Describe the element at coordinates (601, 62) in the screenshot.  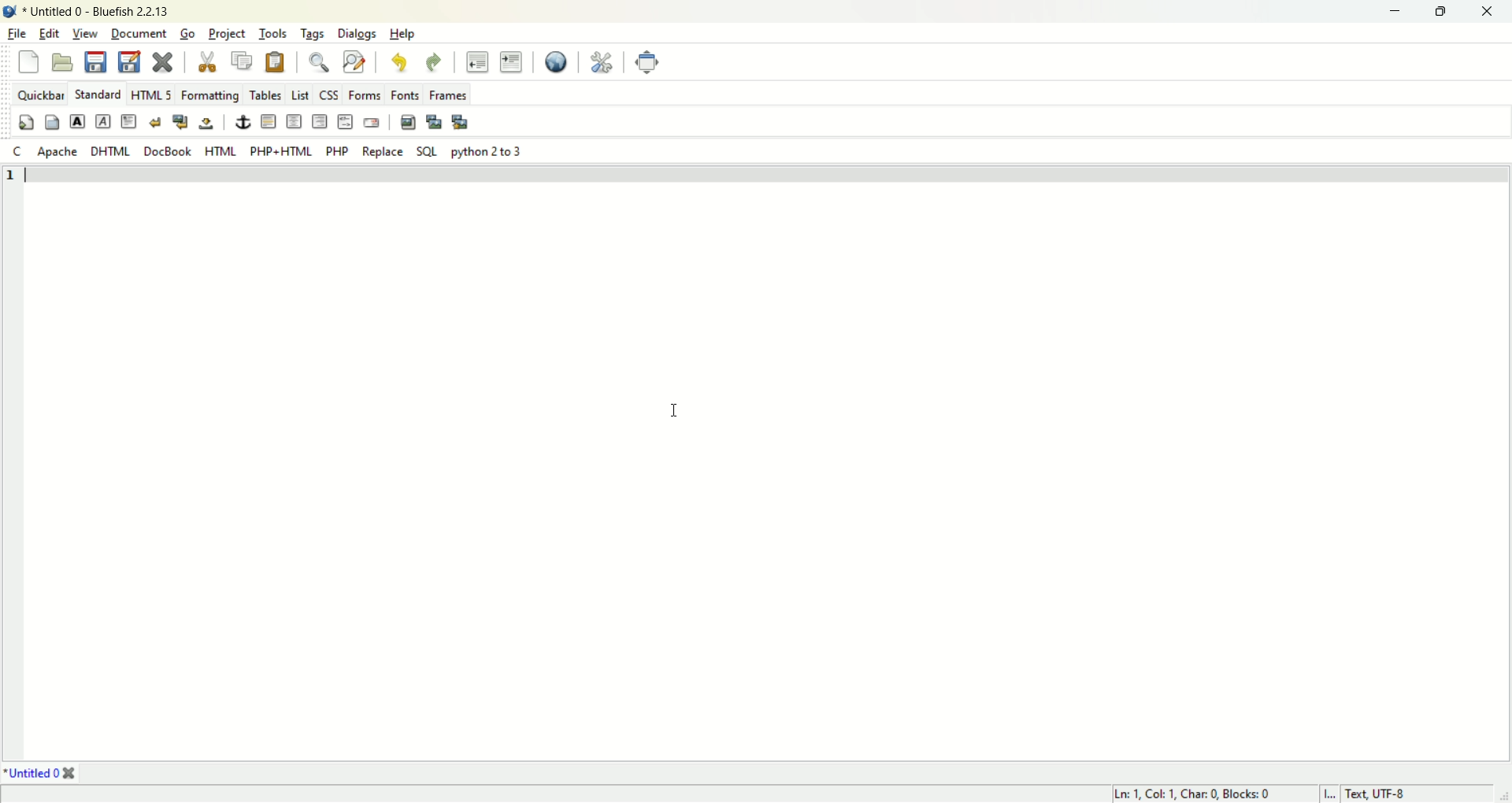
I see `preferences` at that location.